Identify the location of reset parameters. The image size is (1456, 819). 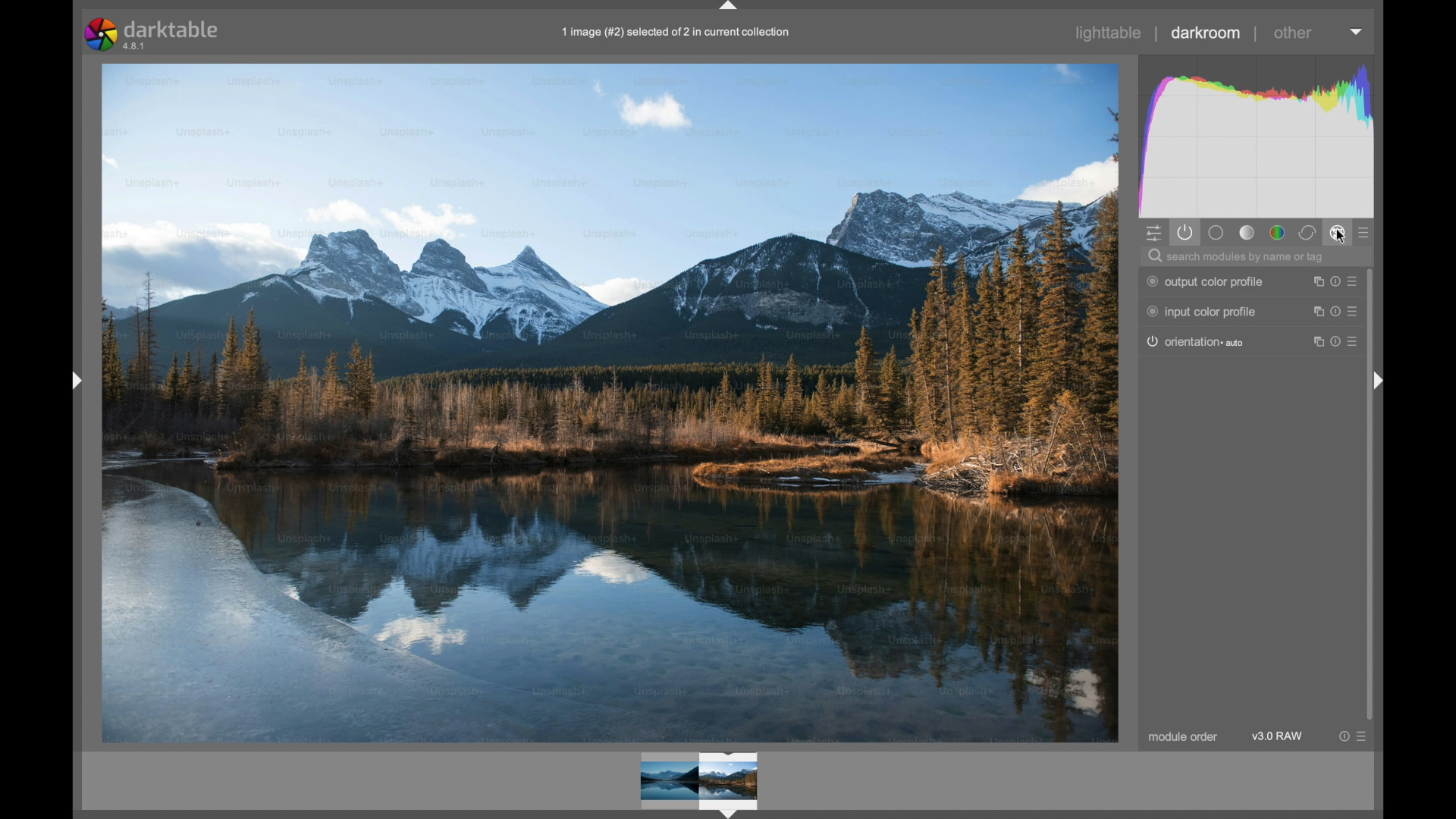
(1335, 342).